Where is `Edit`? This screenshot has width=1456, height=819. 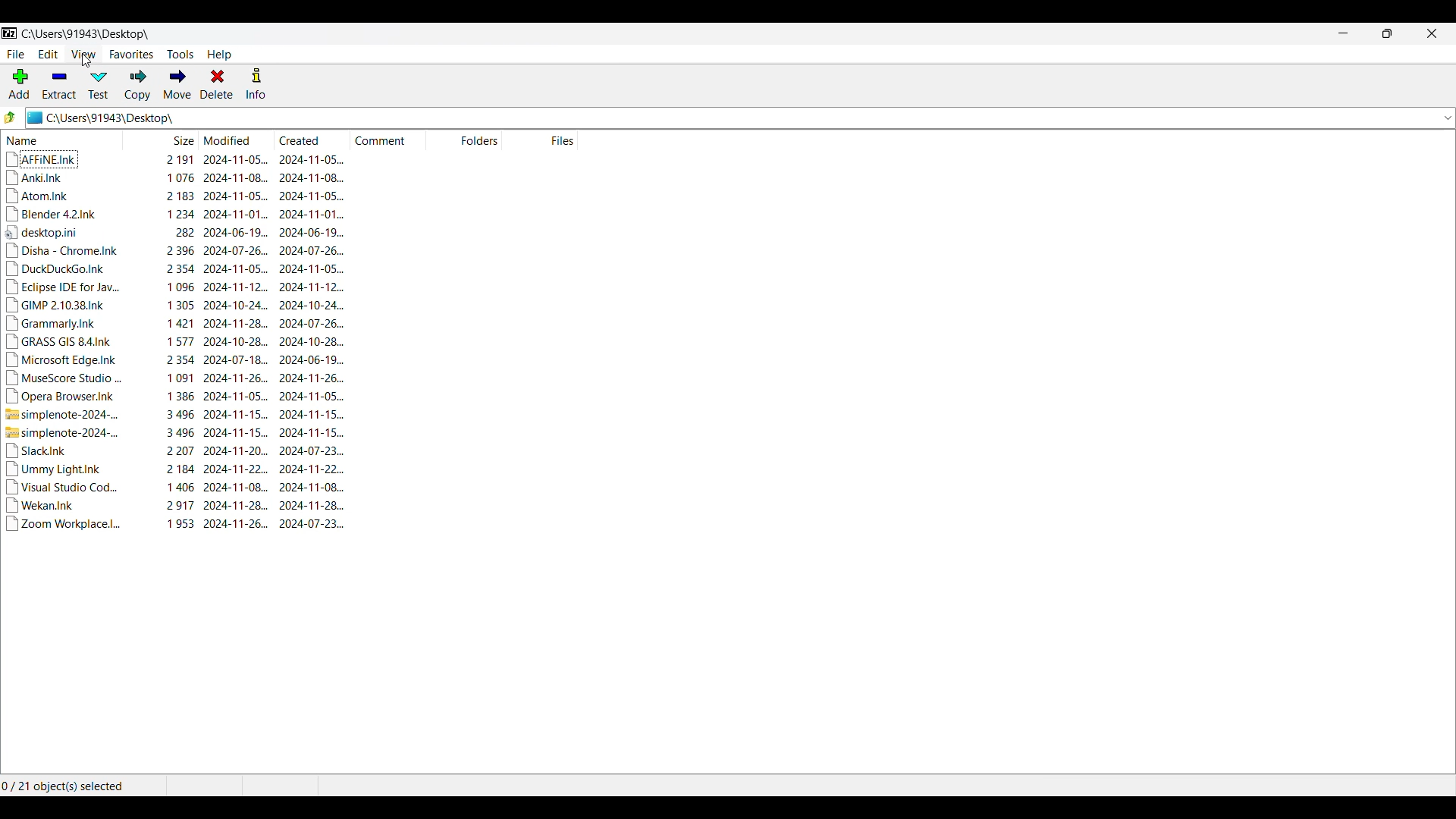
Edit is located at coordinates (48, 54).